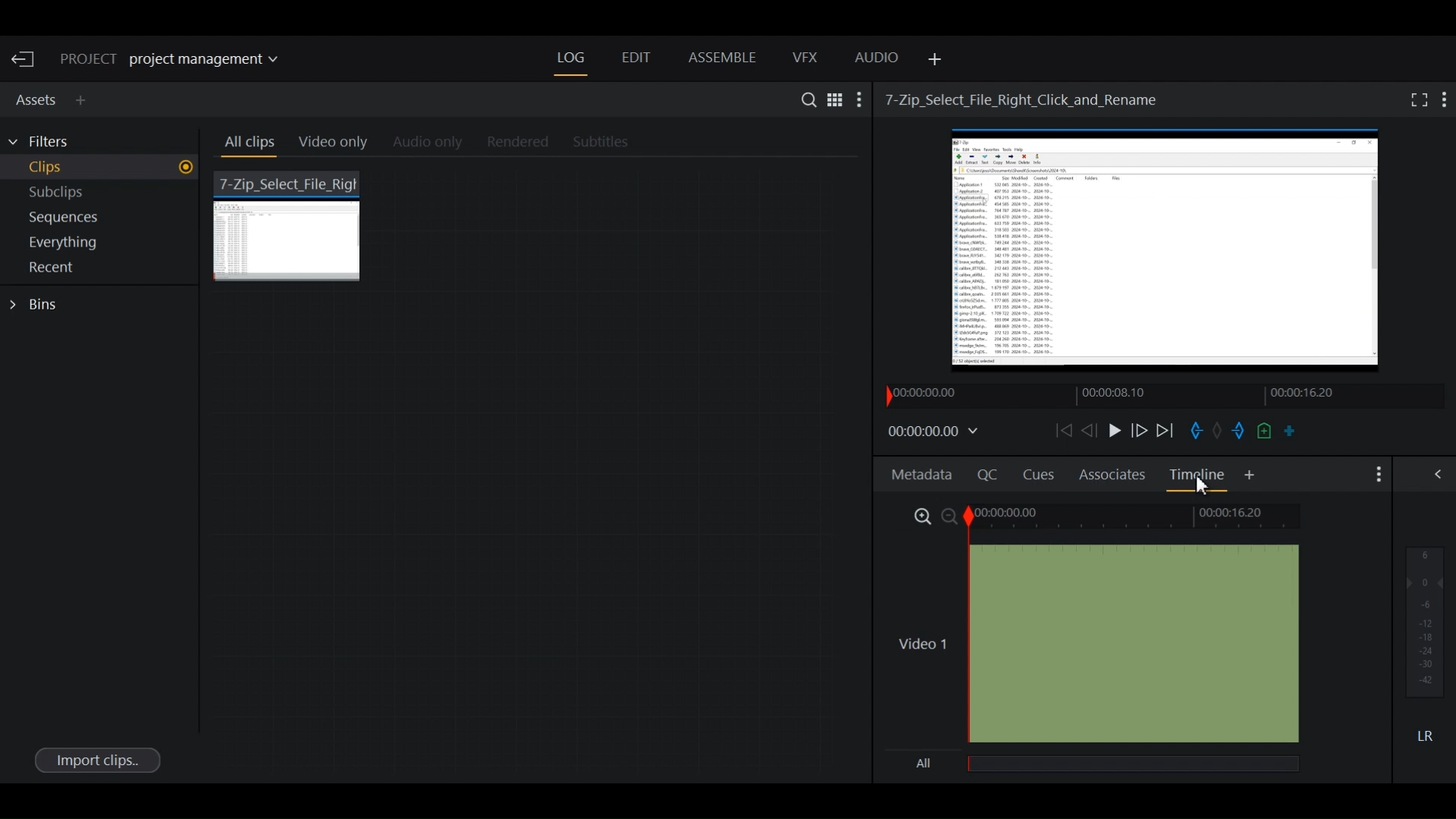  Describe the element at coordinates (1250, 475) in the screenshot. I see `Add Panel` at that location.